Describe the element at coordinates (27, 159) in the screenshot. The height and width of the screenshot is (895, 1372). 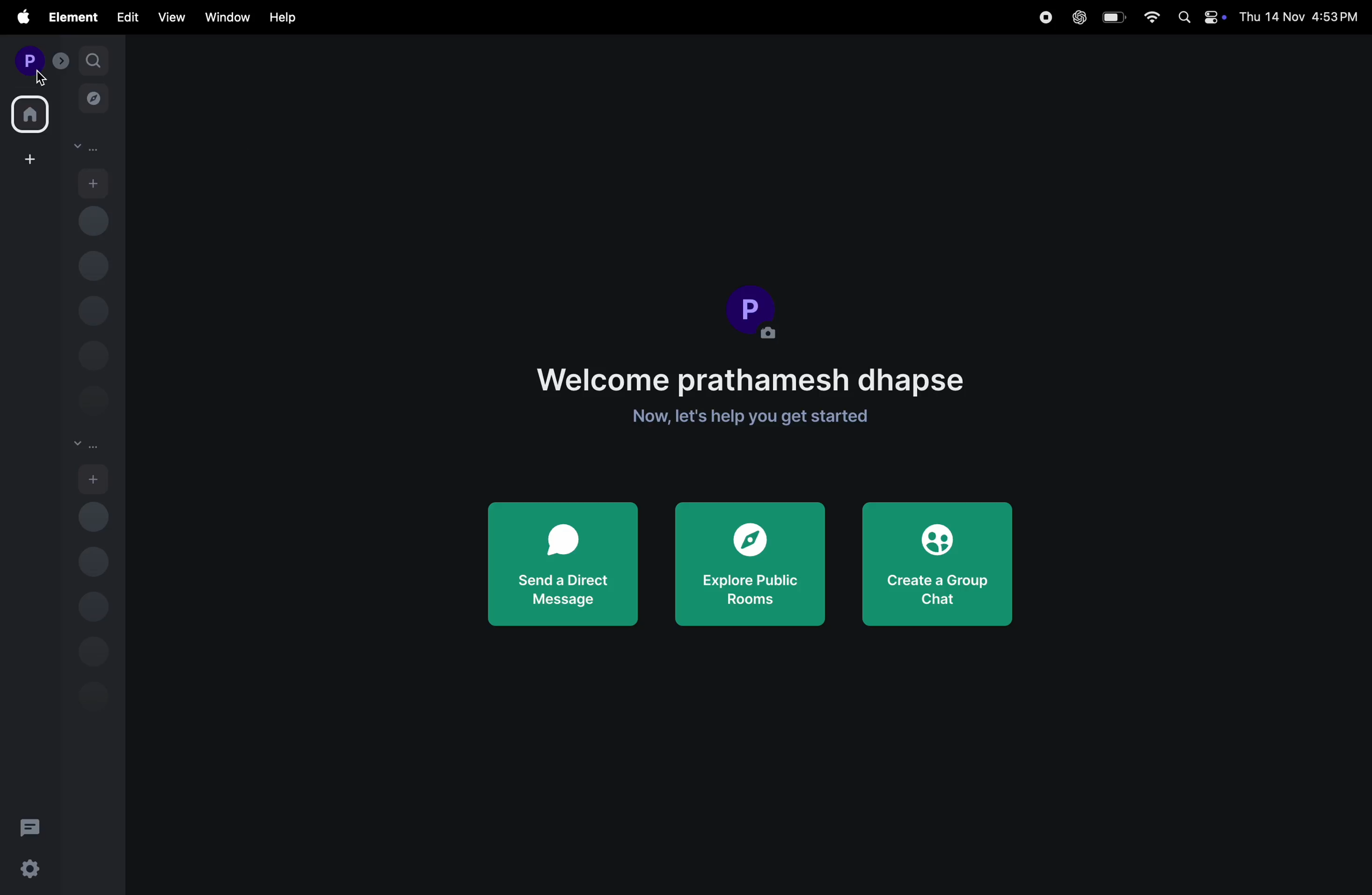
I see `create workspace` at that location.